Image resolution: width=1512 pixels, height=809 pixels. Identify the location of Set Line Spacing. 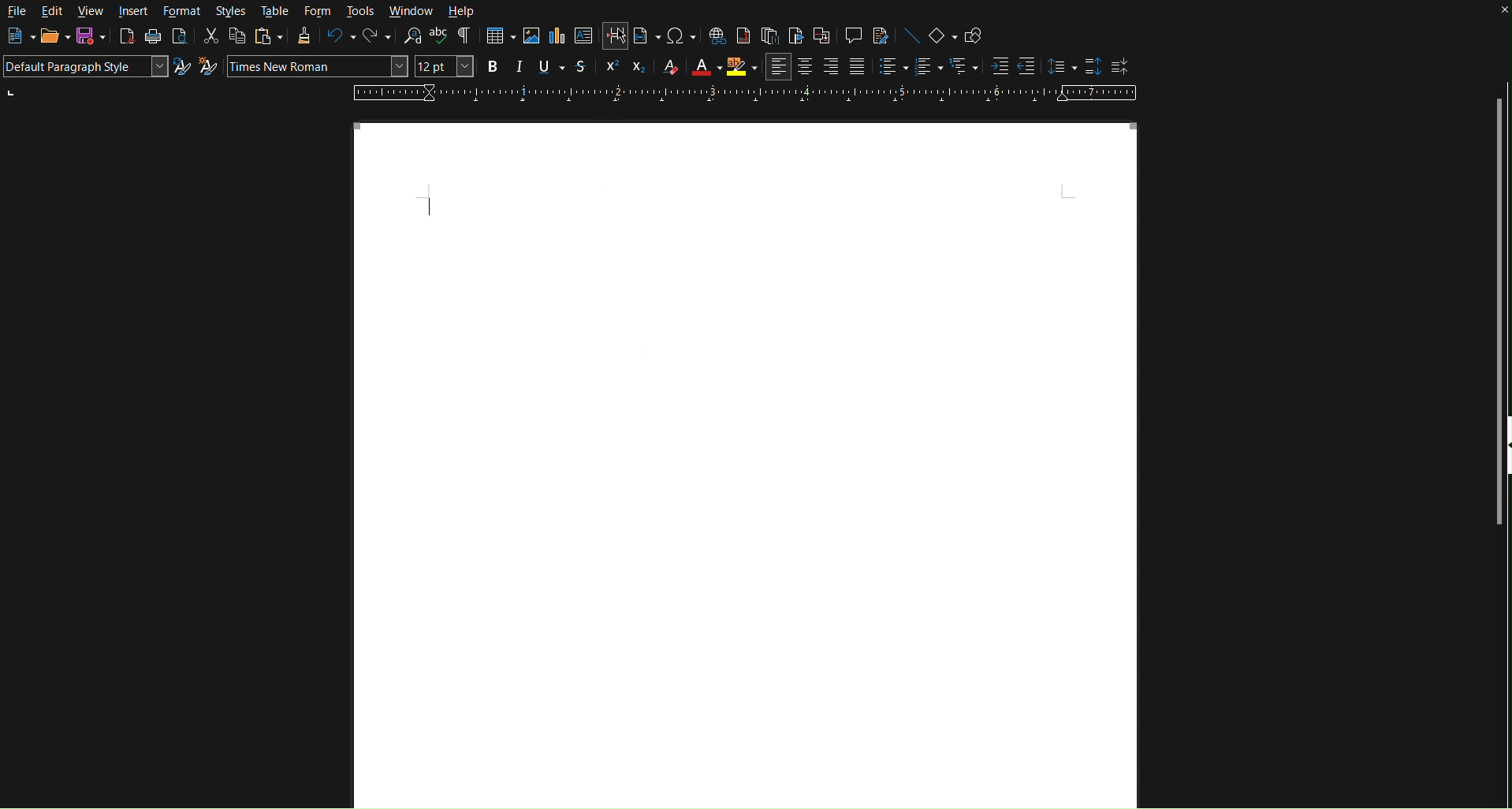
(1056, 67).